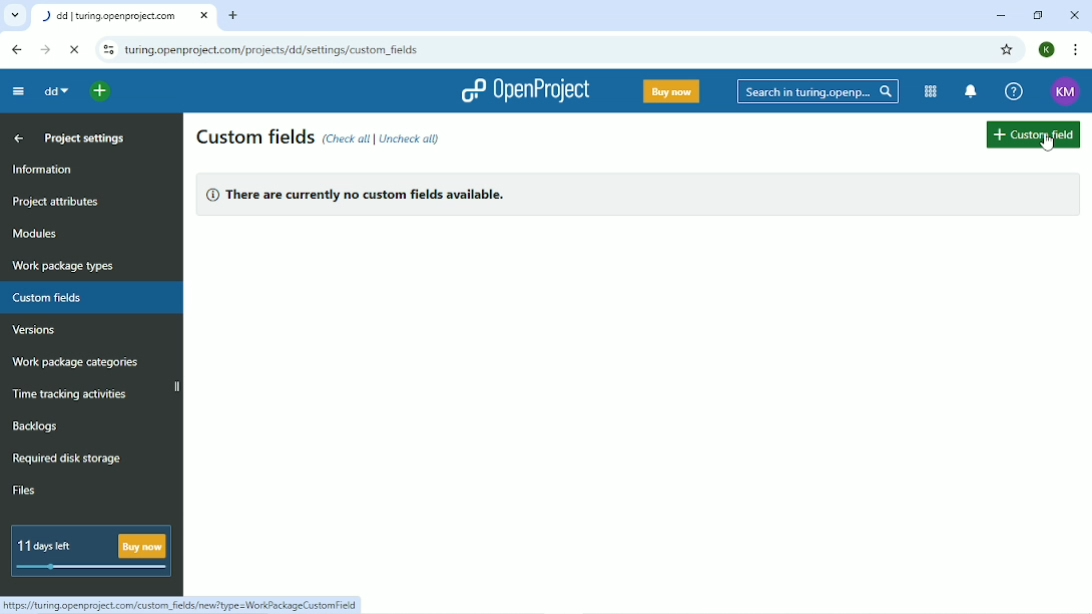  Describe the element at coordinates (276, 51) in the screenshot. I see `turing.openproject.com/projects/dd/settings/custom_fields` at that location.